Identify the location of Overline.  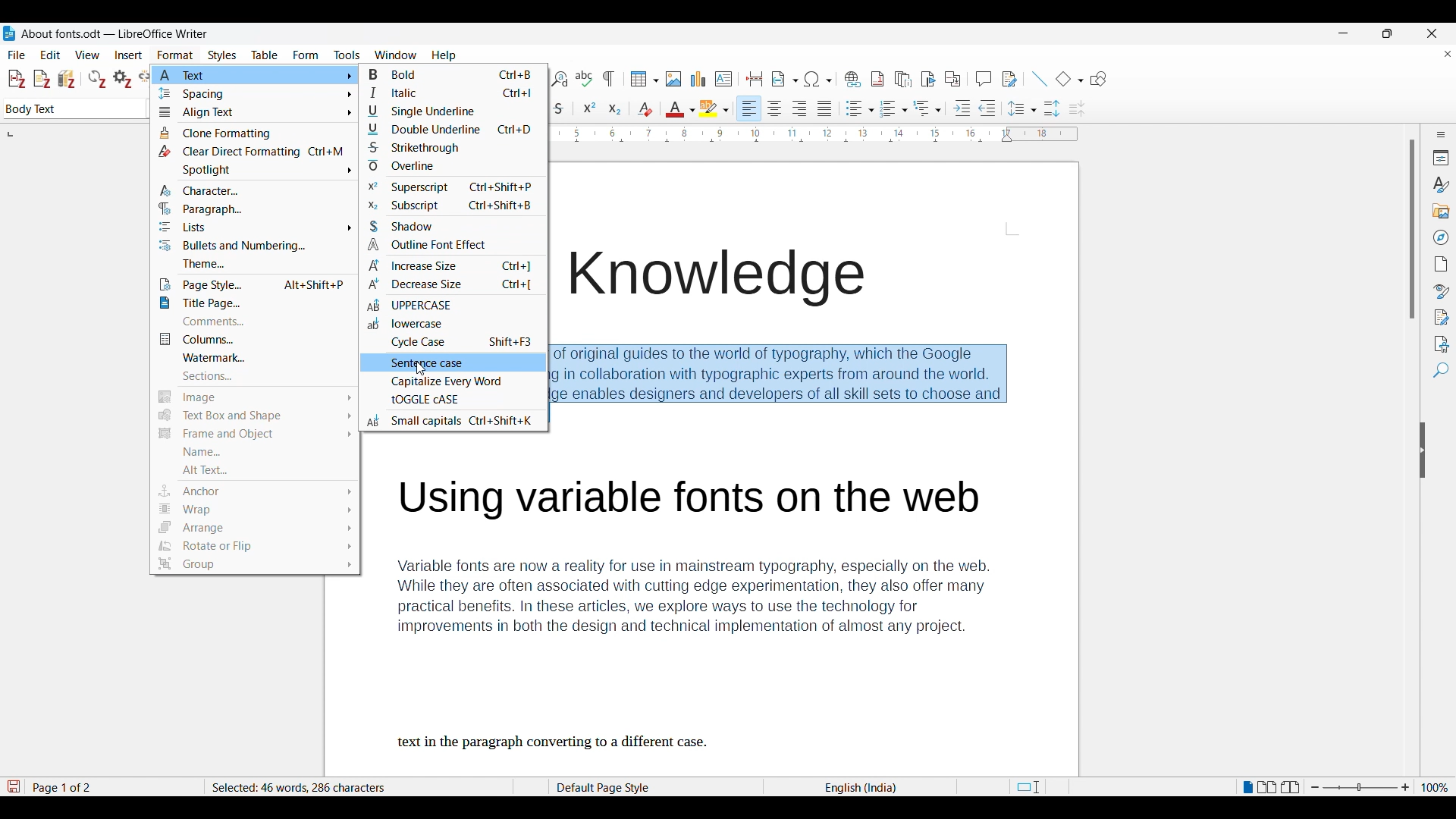
(425, 166).